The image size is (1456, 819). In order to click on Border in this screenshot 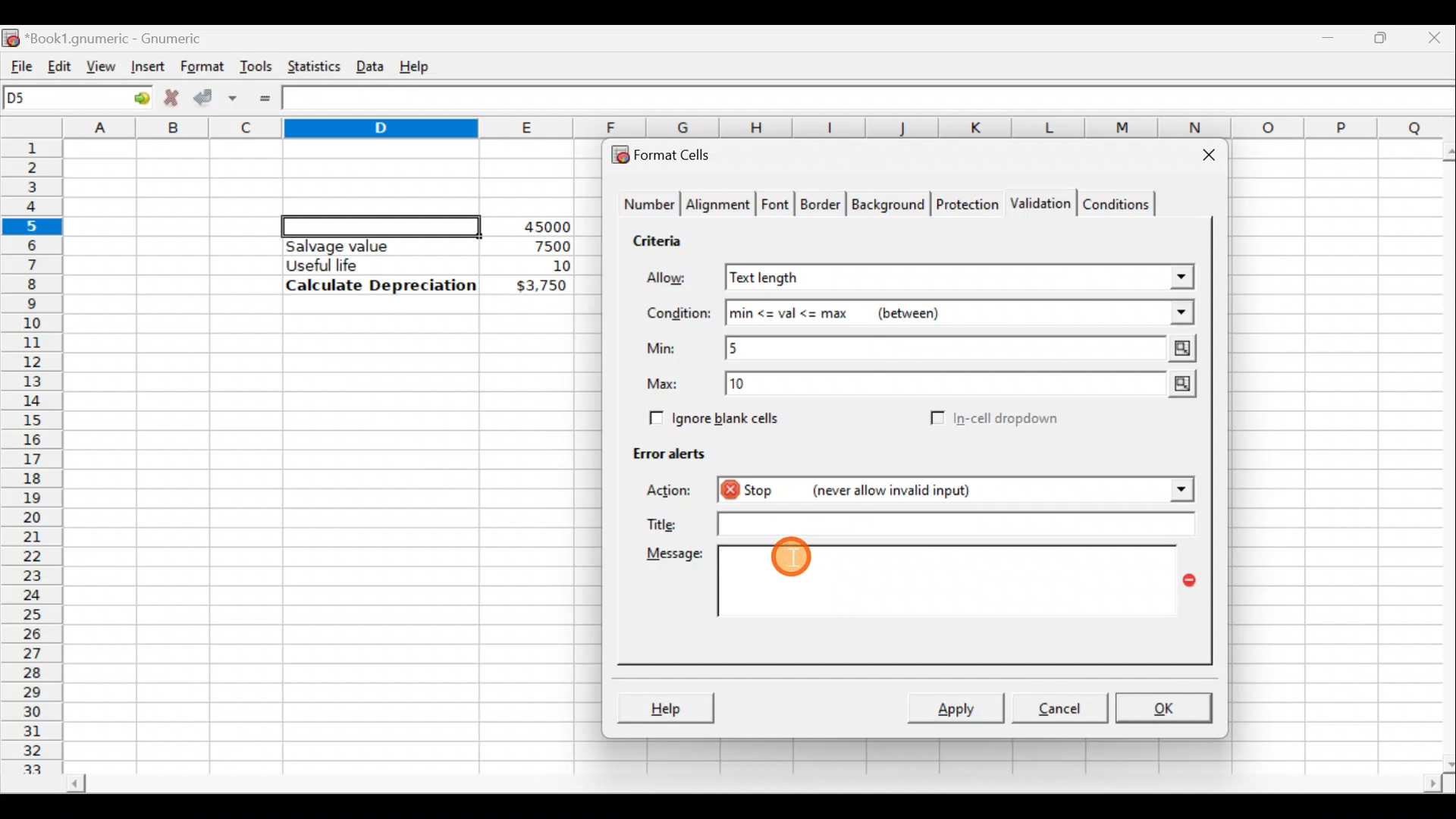, I will do `click(822, 208)`.